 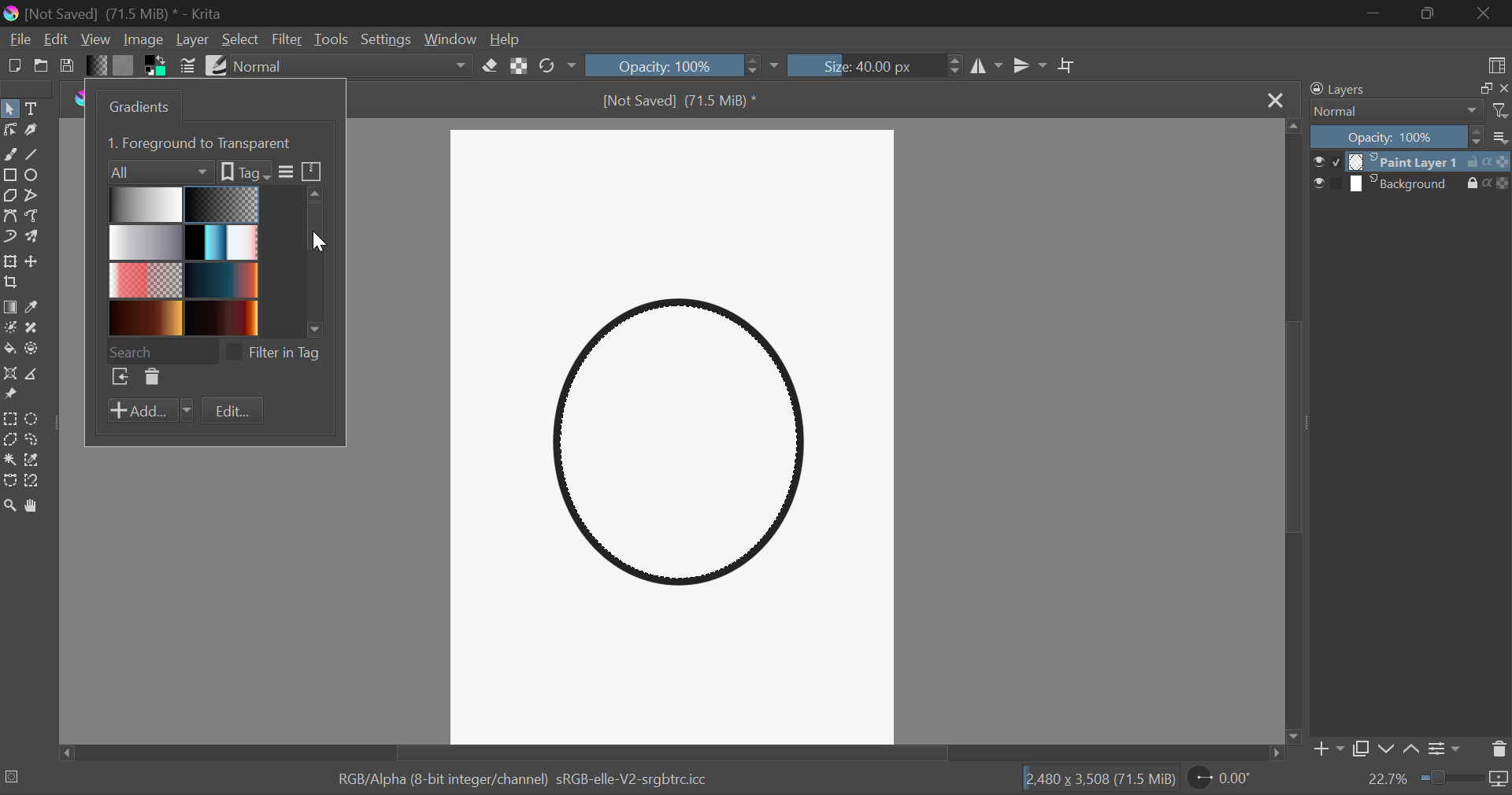 What do you see at coordinates (878, 65) in the screenshot?
I see `Brush Size` at bounding box center [878, 65].